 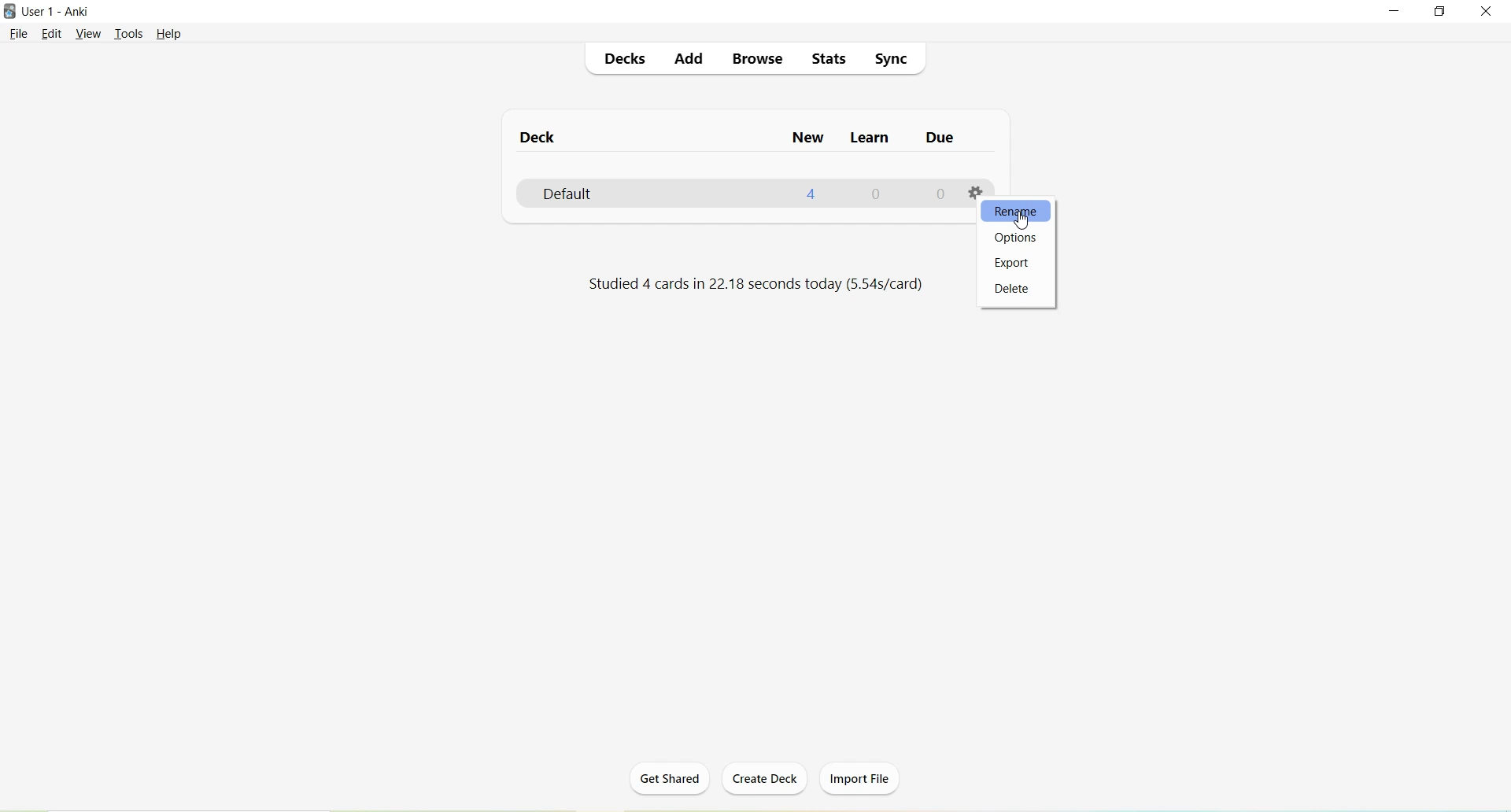 I want to click on Minimize, so click(x=1397, y=12).